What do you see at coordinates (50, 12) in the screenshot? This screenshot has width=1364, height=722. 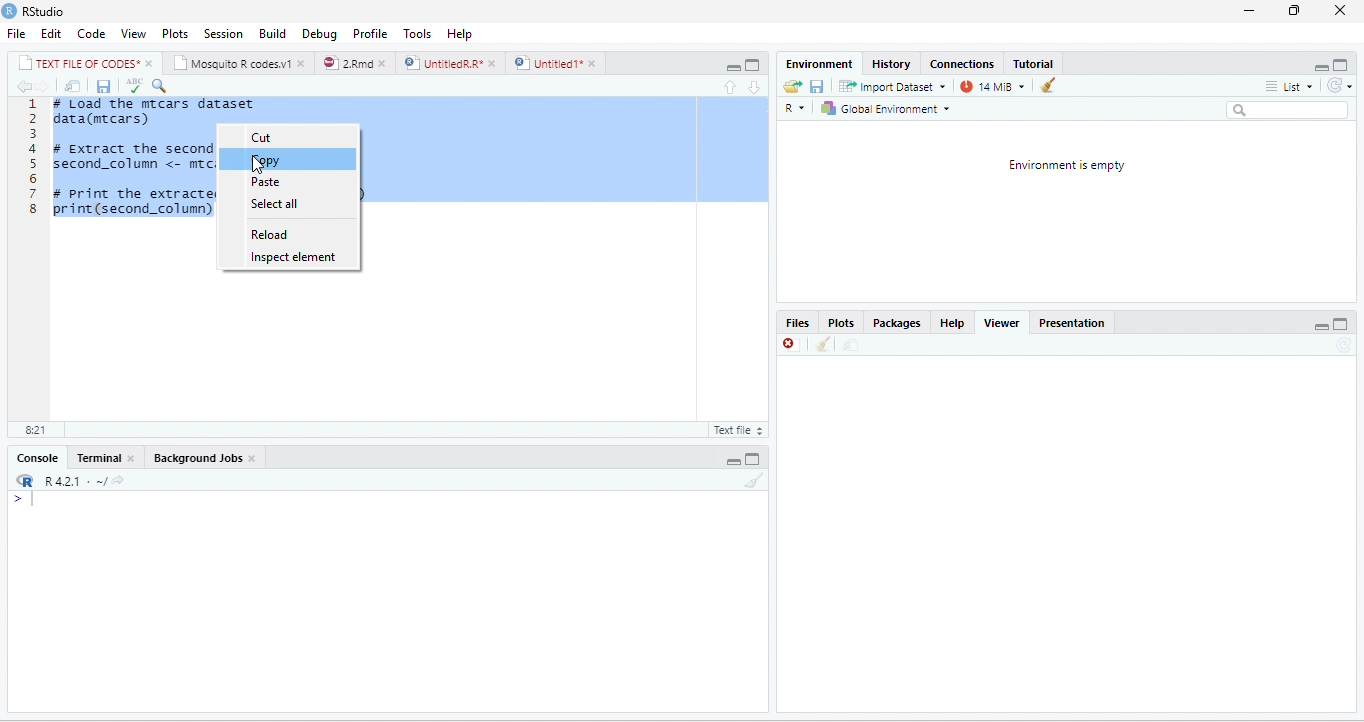 I see `RStudio` at bounding box center [50, 12].